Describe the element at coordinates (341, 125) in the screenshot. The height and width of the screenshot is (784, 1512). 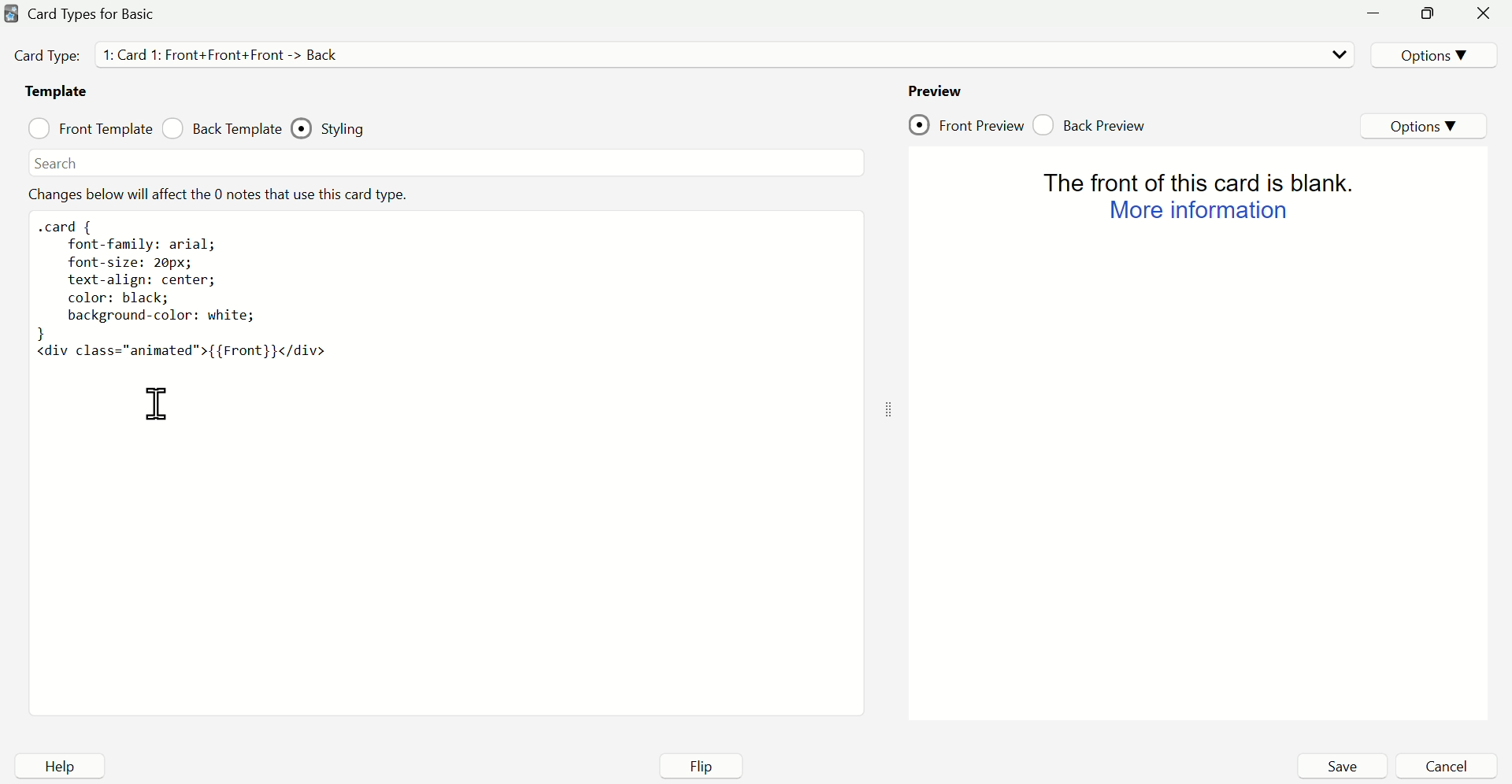
I see `Styling` at that location.